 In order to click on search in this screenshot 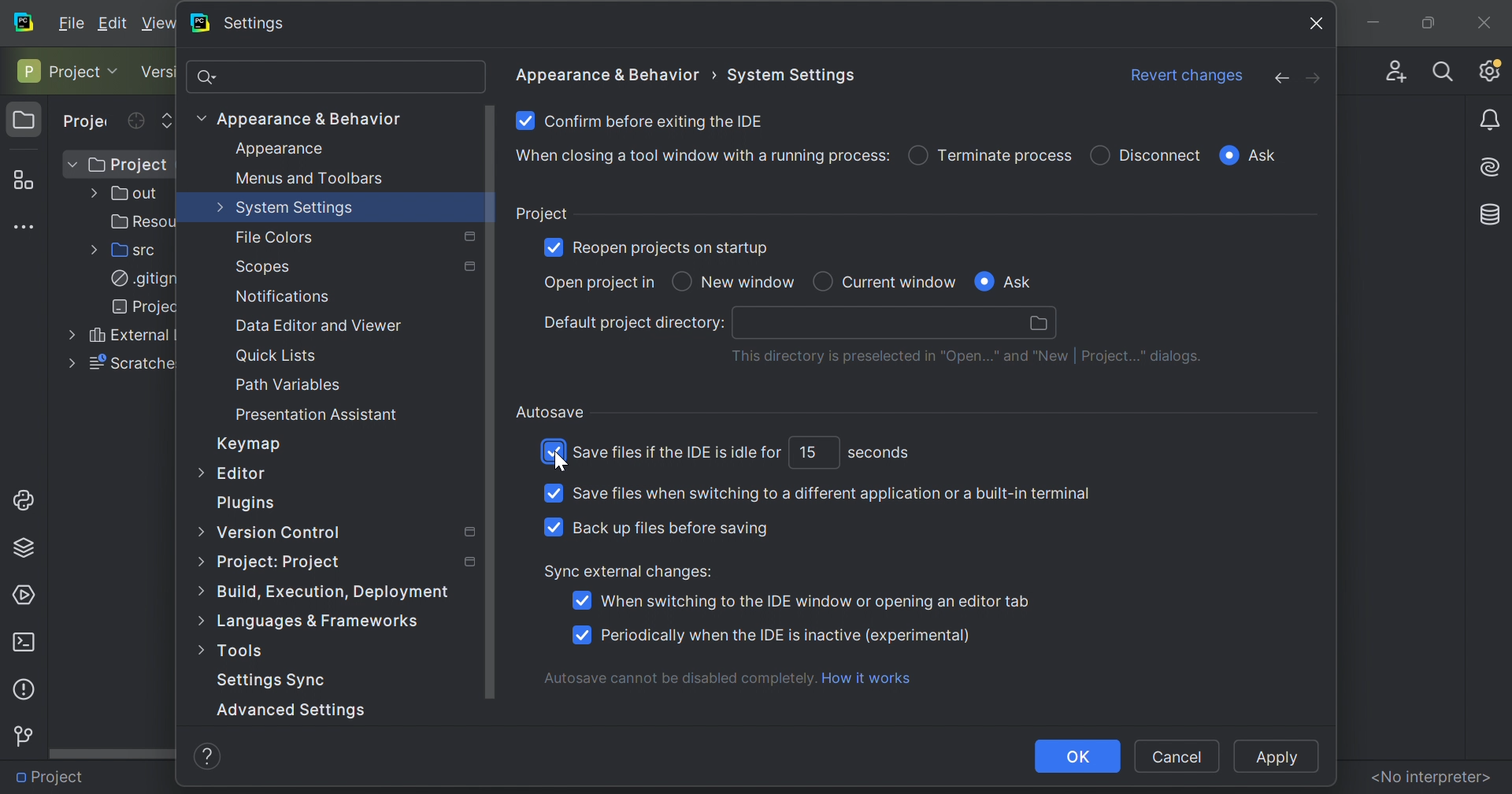, I will do `click(876, 323)`.